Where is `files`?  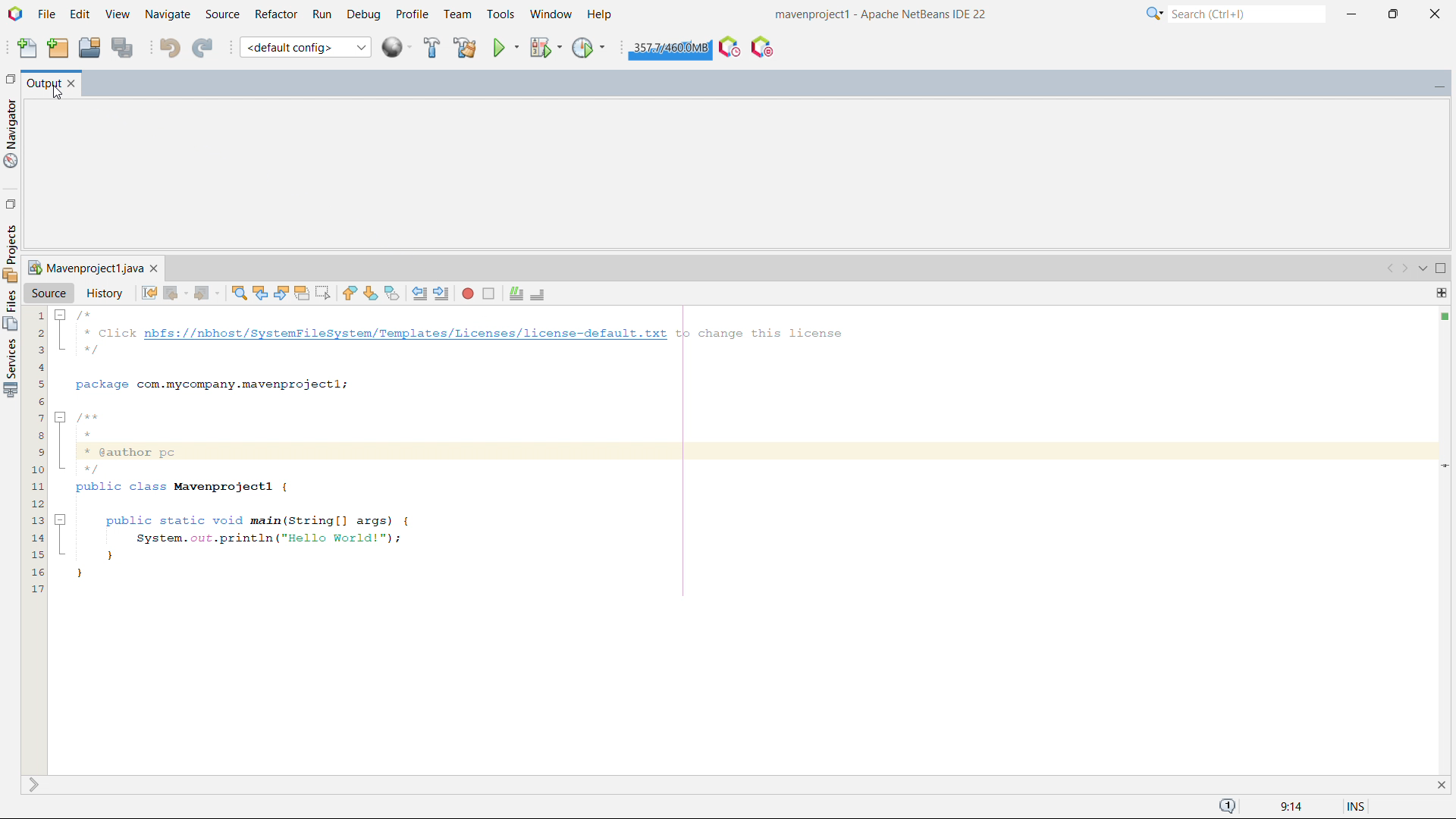
files is located at coordinates (11, 310).